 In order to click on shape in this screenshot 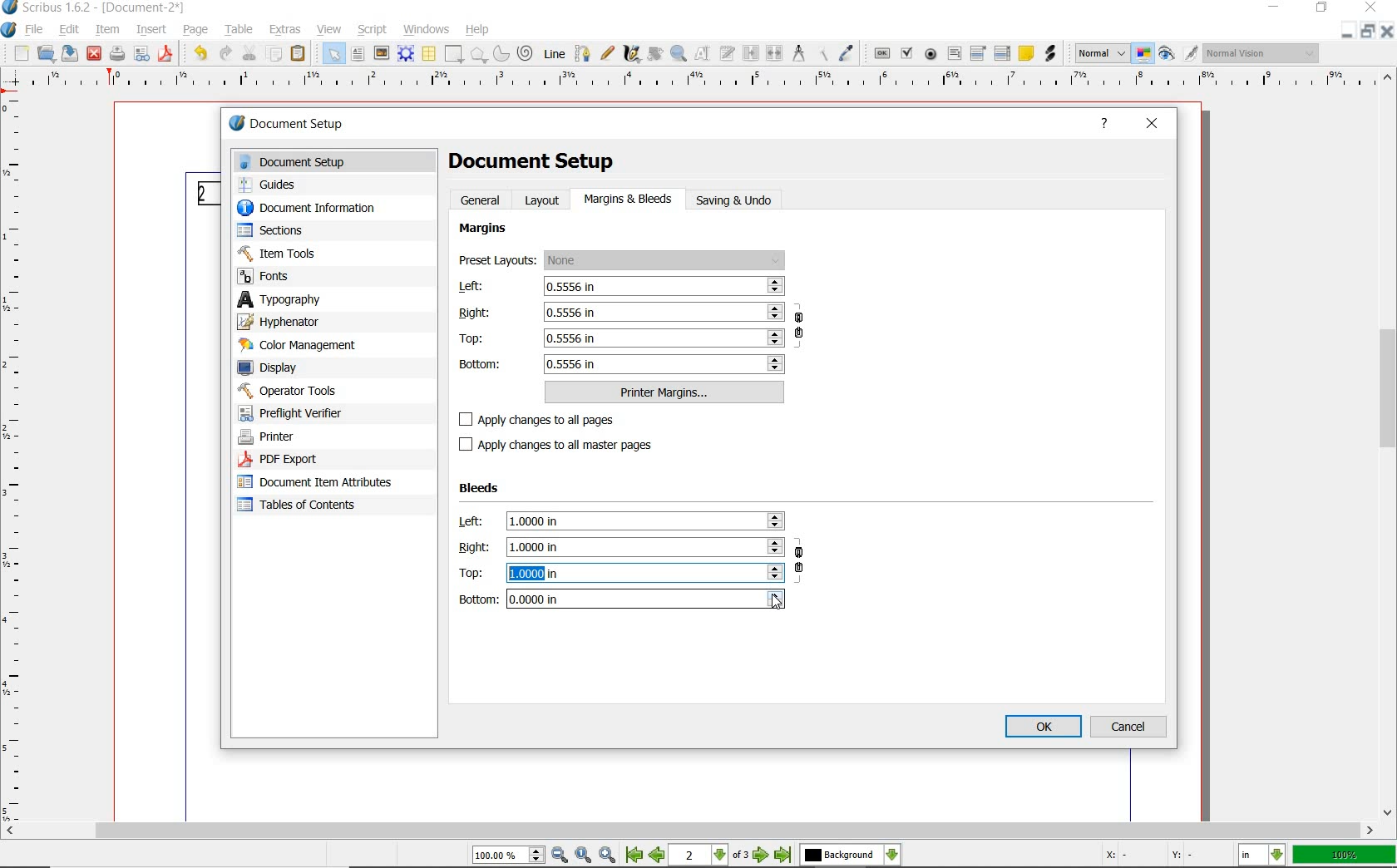, I will do `click(452, 55)`.